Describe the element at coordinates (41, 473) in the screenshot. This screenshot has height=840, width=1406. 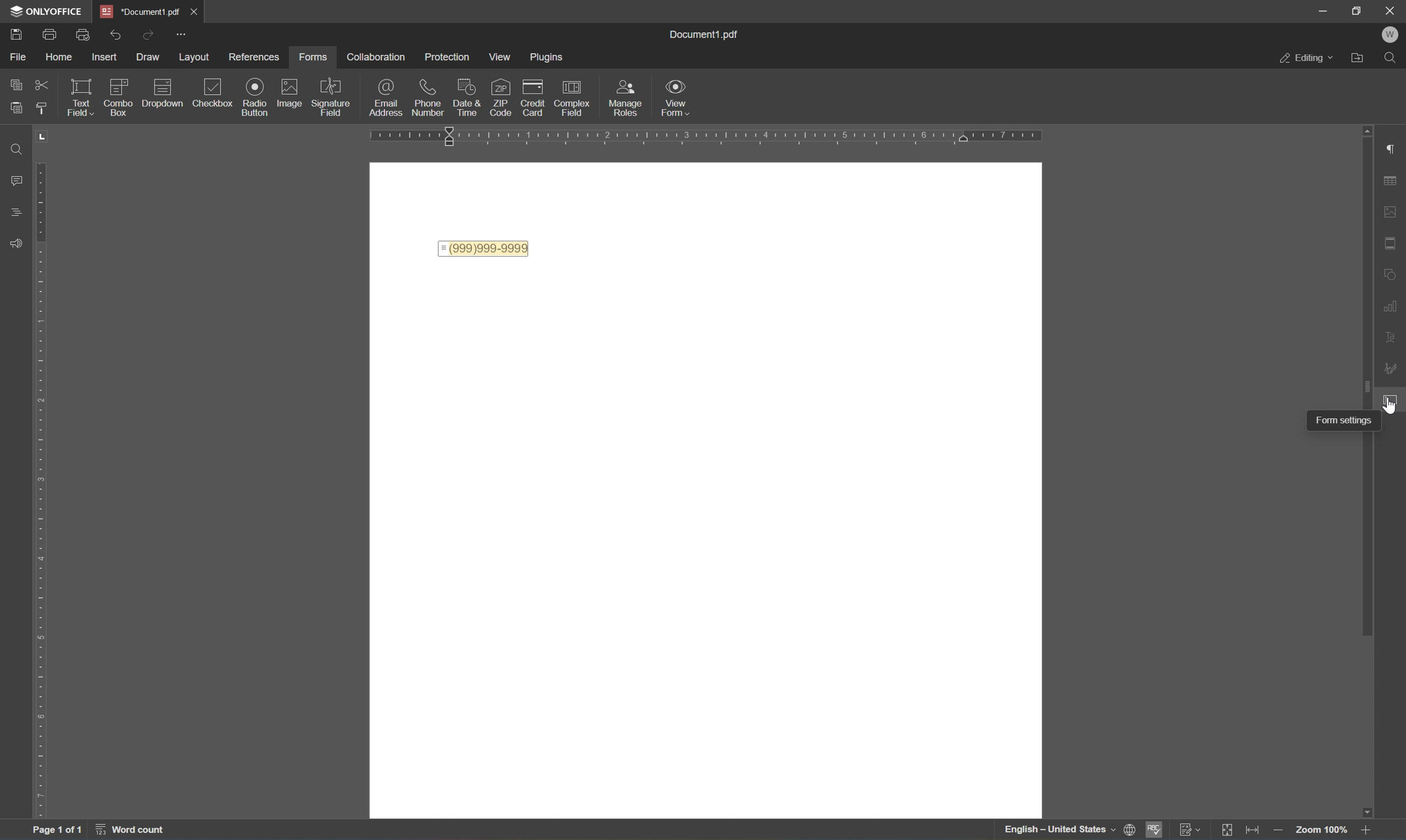
I see `ruler` at that location.